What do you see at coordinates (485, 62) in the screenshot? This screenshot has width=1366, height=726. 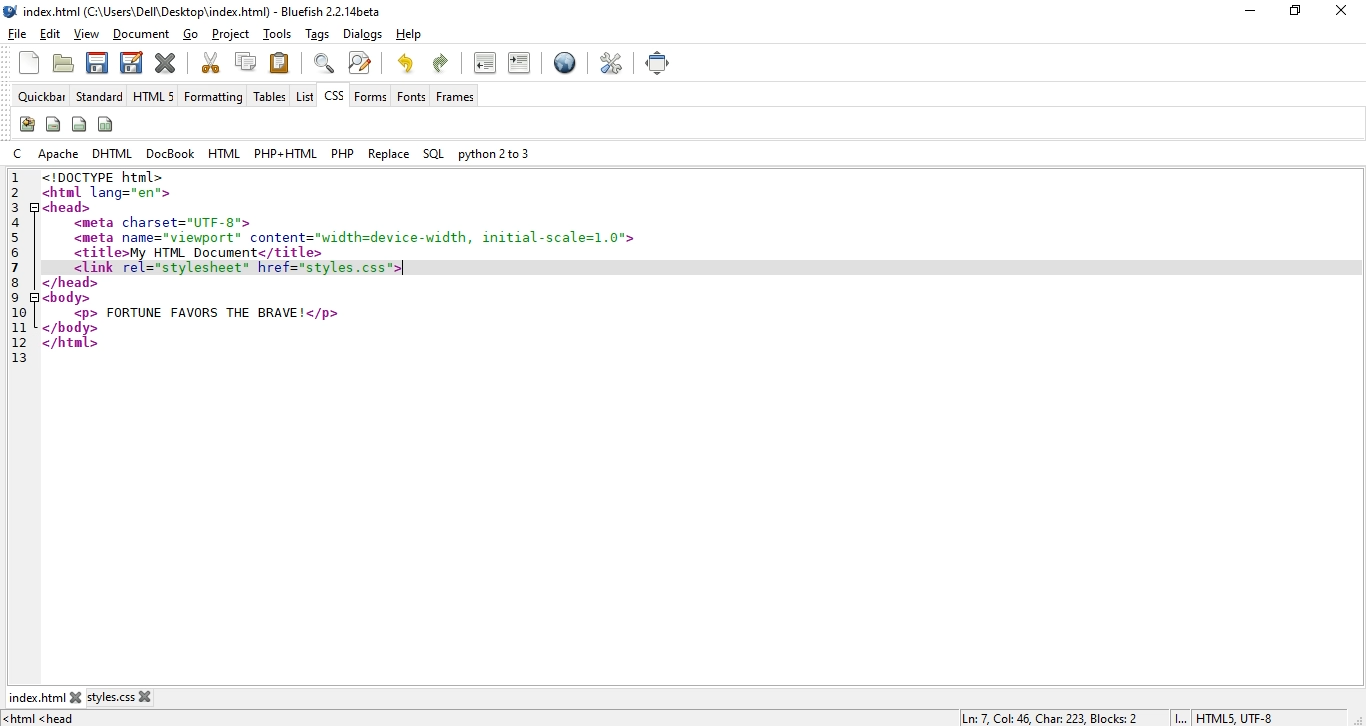 I see `unindent` at bounding box center [485, 62].